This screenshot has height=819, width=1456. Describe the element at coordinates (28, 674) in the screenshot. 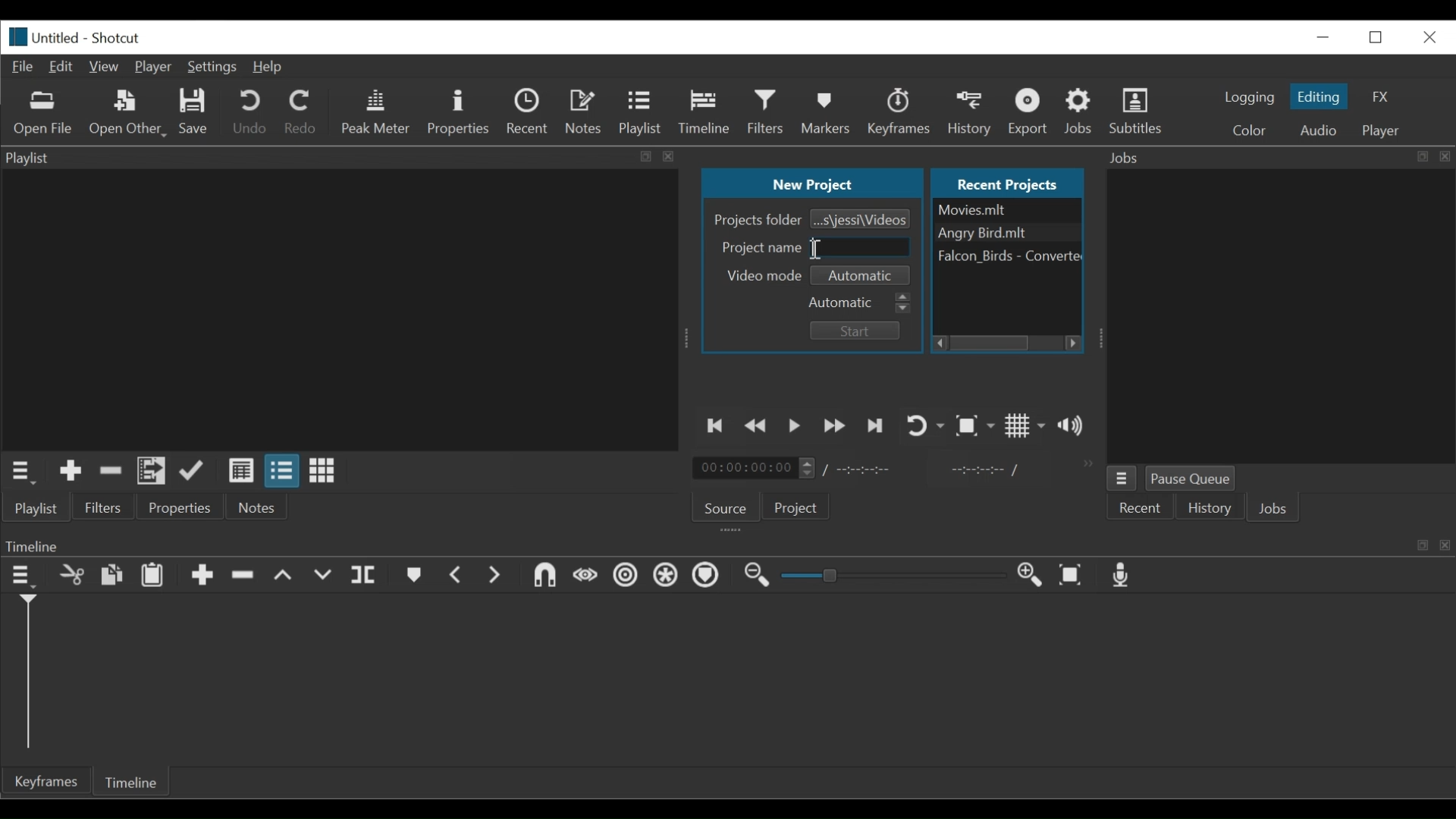

I see `Timeline cursor` at that location.